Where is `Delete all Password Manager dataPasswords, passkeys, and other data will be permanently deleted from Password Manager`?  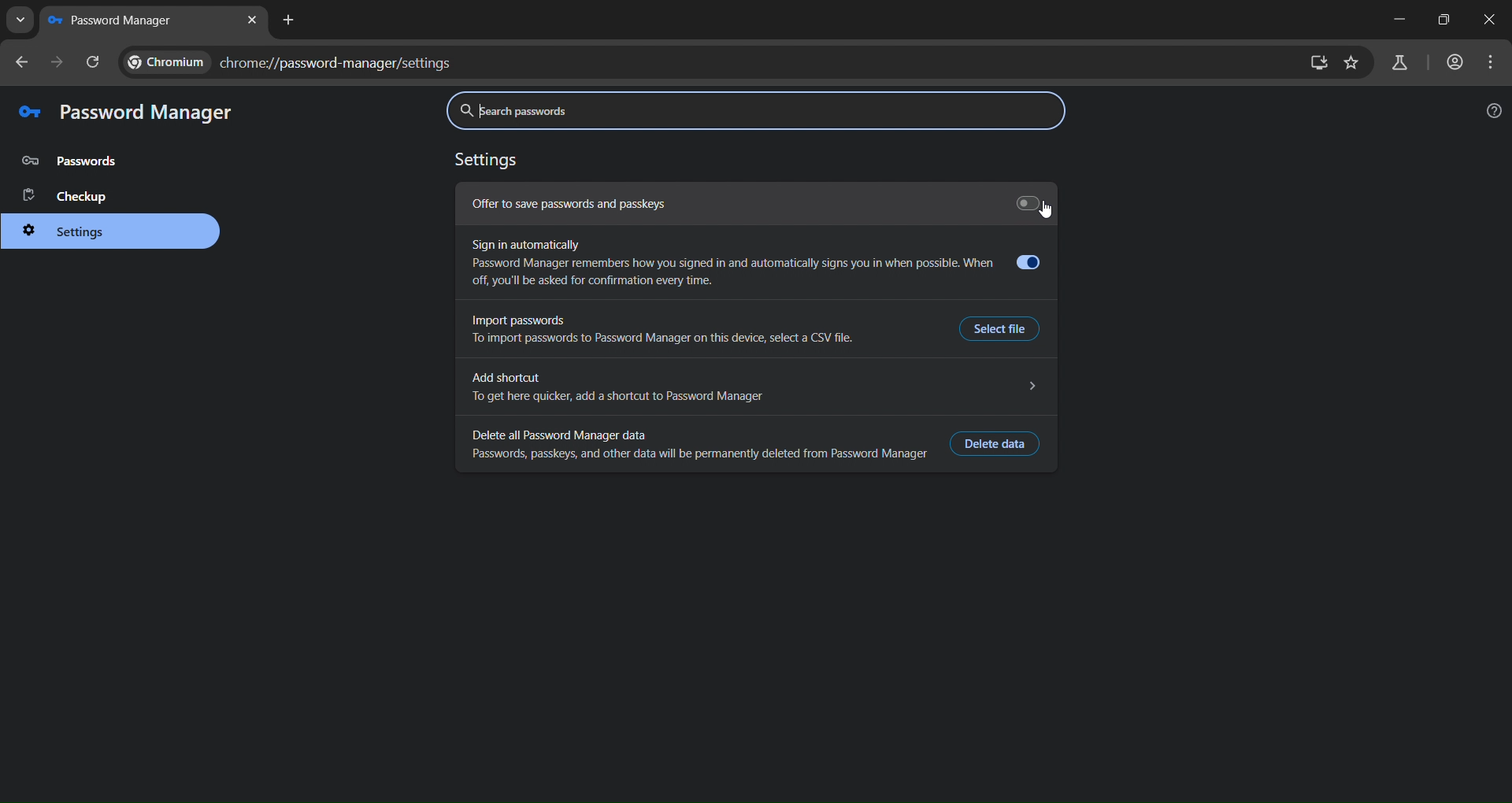
Delete all Password Manager dataPasswords, passkeys, and other data will be permanently deleted from Password Manager is located at coordinates (697, 442).